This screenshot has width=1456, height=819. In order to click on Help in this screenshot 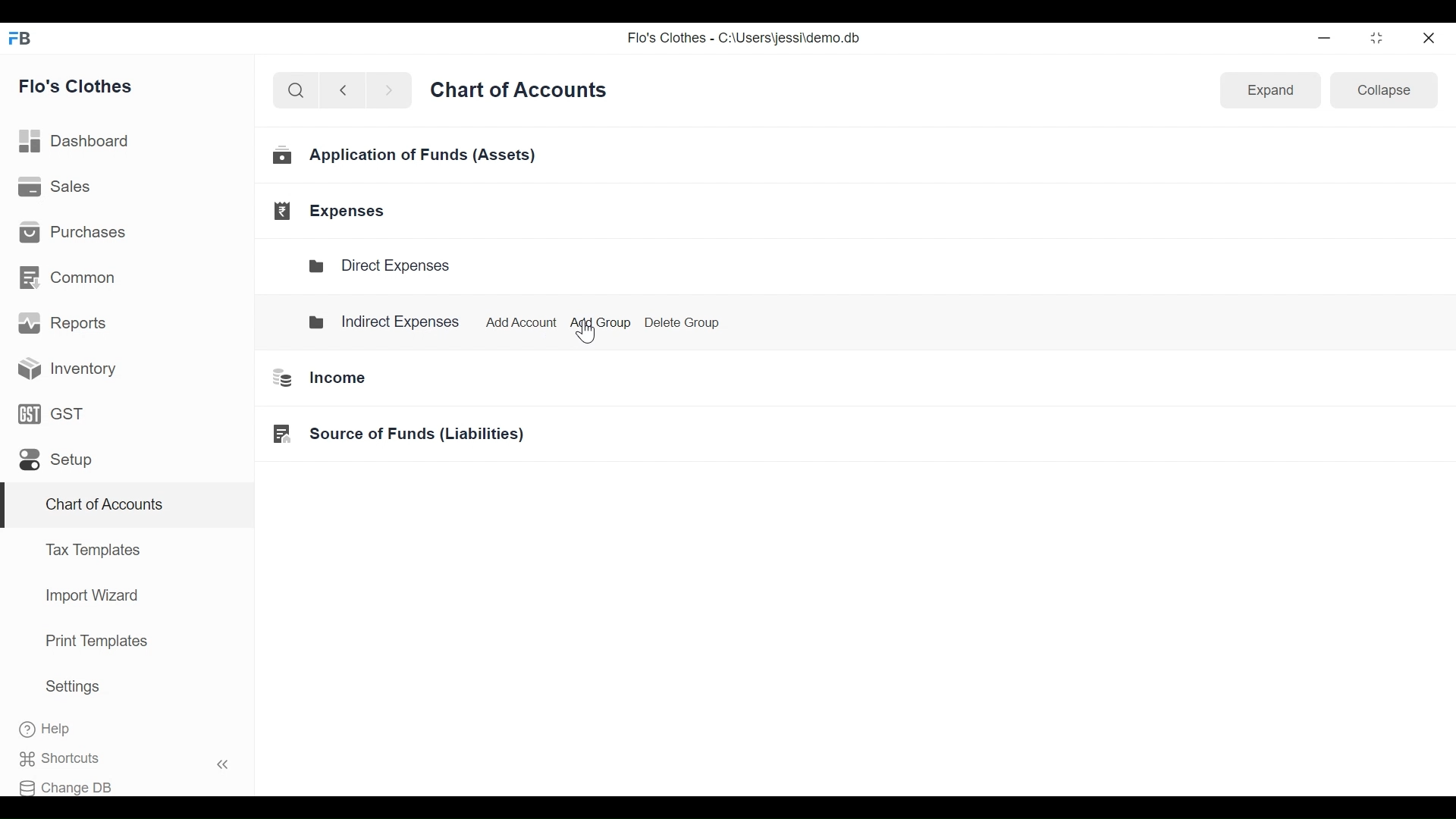, I will do `click(61, 730)`.